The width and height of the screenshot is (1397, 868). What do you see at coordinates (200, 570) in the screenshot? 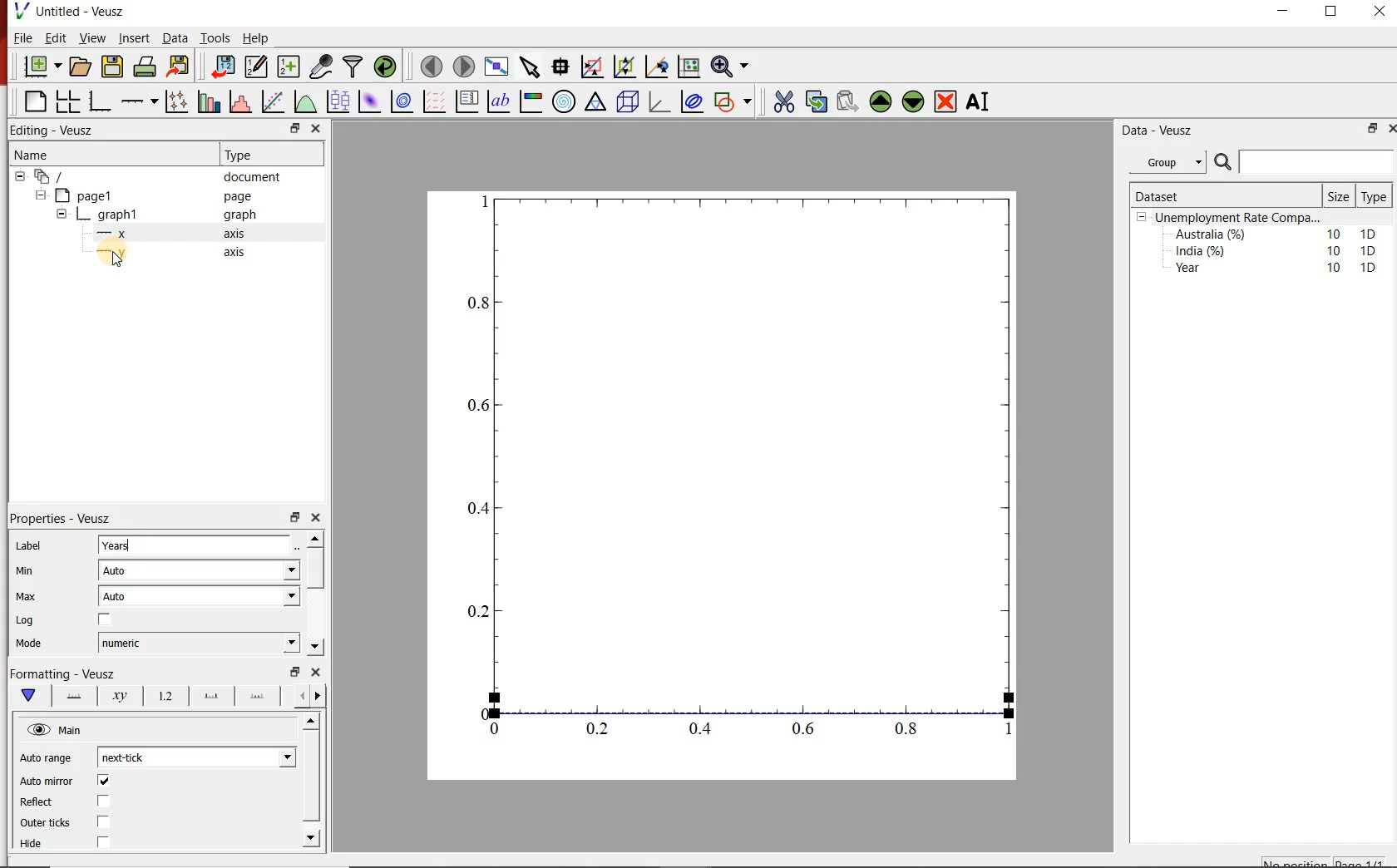
I see `Auto` at bounding box center [200, 570].